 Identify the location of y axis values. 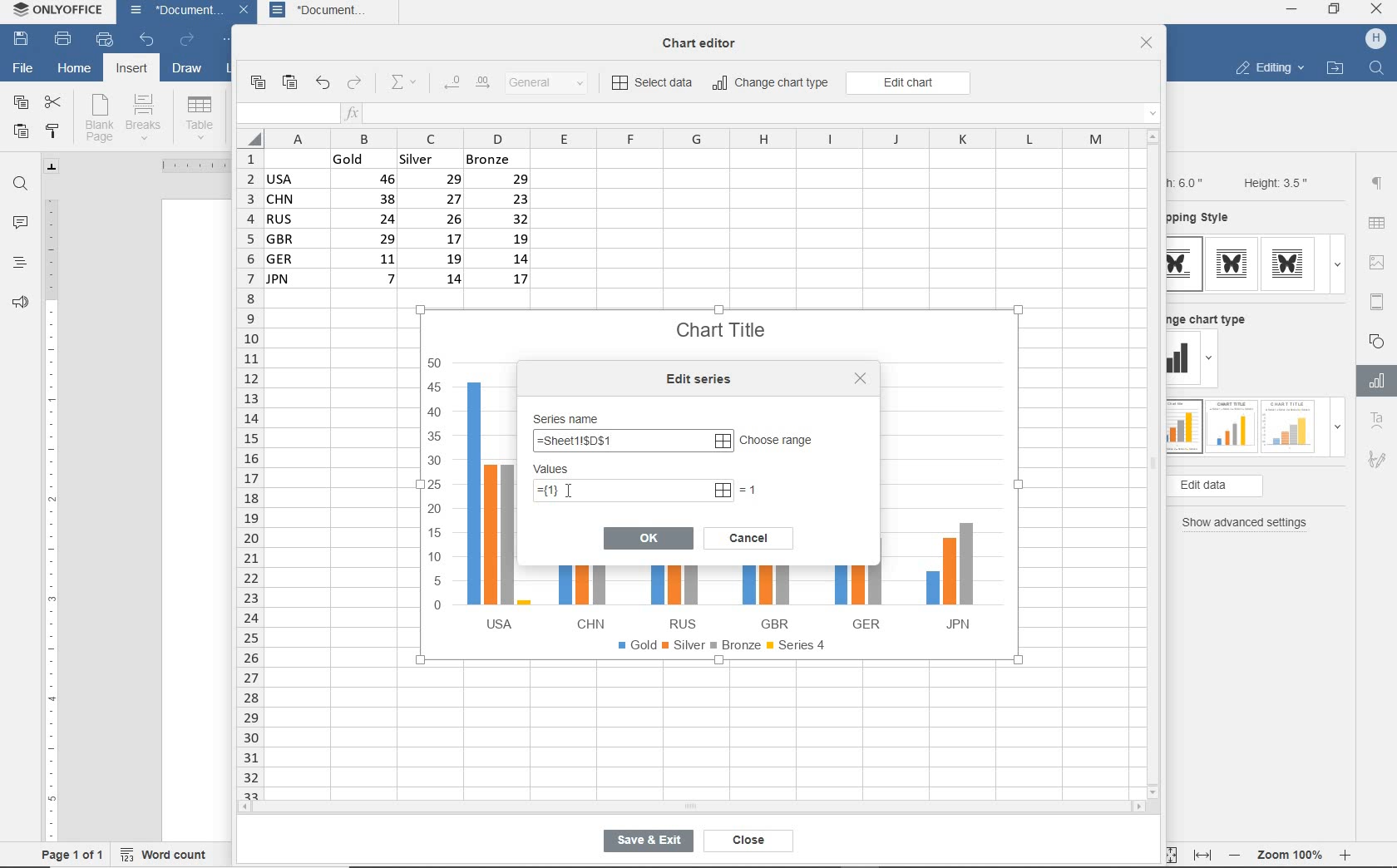
(436, 486).